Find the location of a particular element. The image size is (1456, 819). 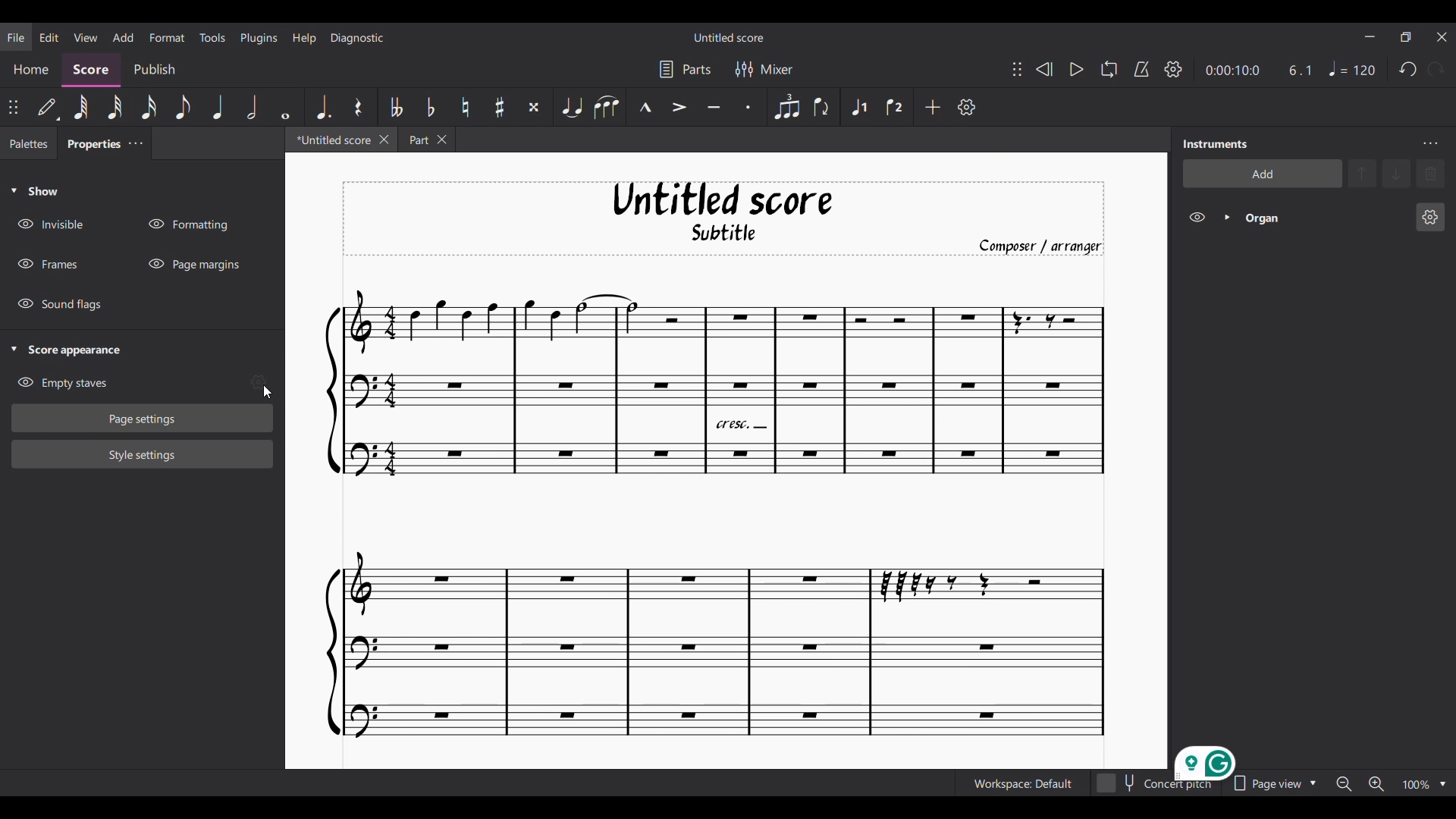

Toggle sharp is located at coordinates (499, 108).